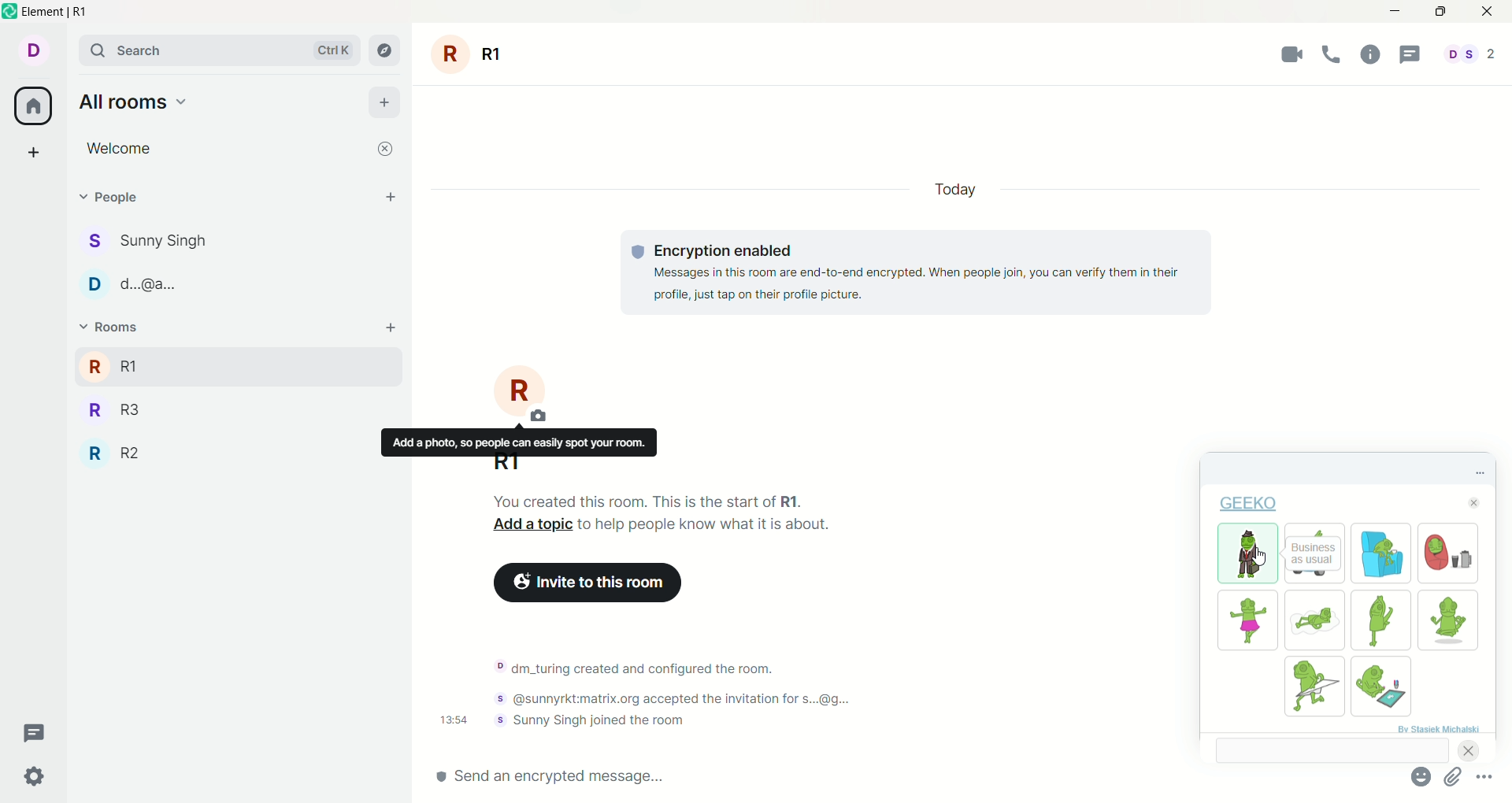  I want to click on add, so click(385, 103).